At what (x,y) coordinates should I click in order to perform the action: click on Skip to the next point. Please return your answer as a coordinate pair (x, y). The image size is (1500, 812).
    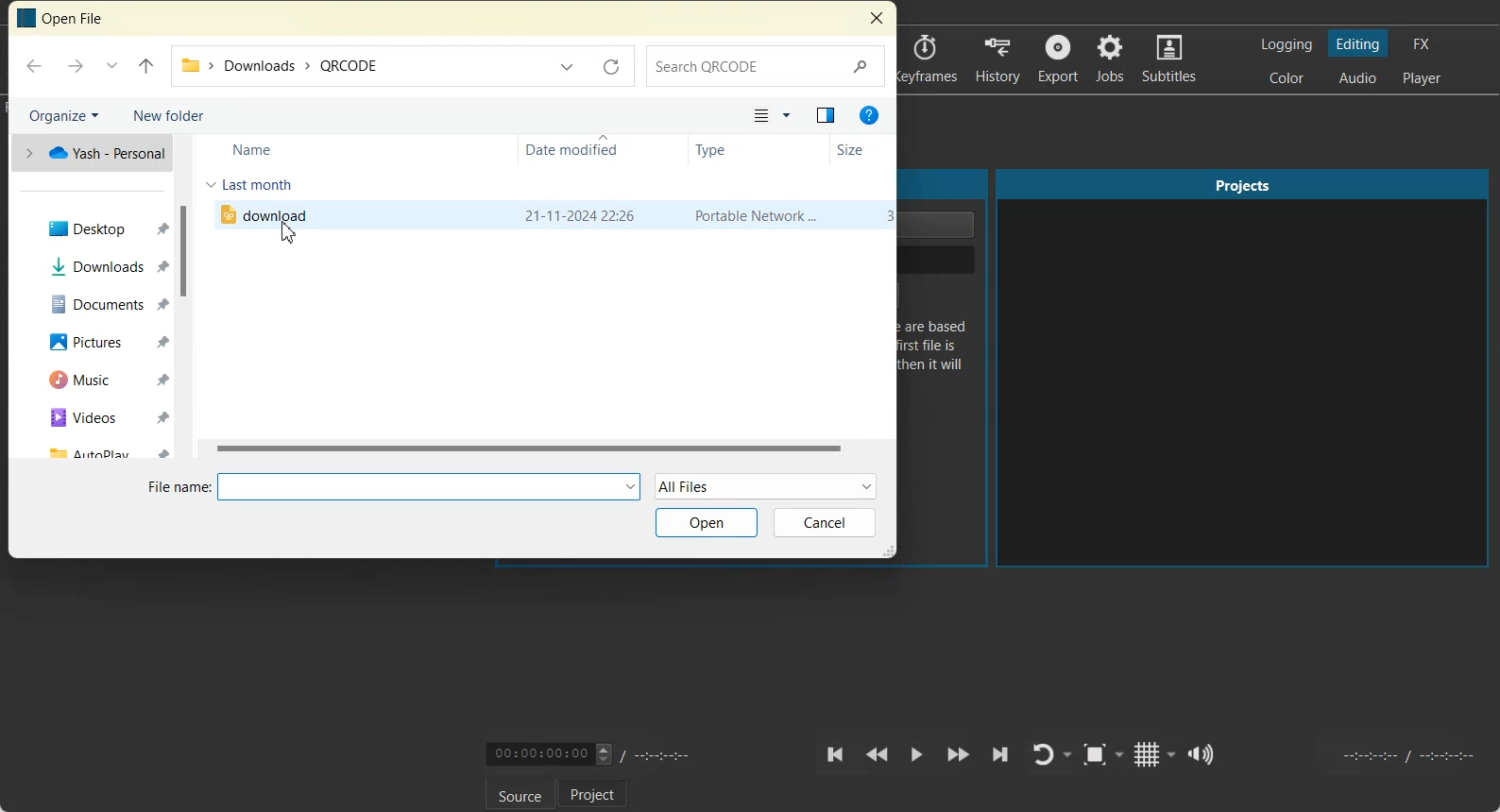
    Looking at the image, I should click on (999, 754).